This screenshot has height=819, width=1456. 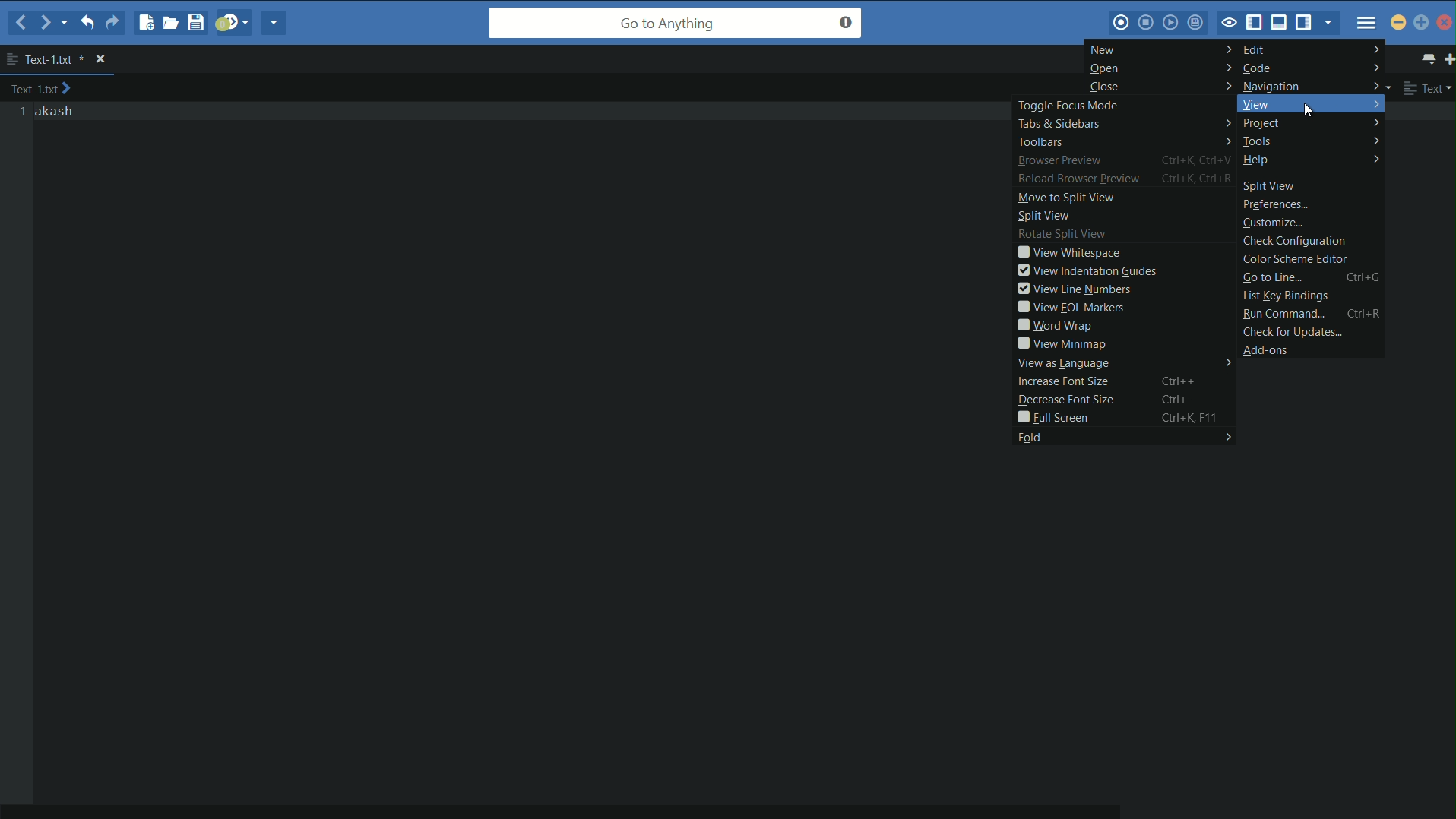 I want to click on toolbars, so click(x=1123, y=141).